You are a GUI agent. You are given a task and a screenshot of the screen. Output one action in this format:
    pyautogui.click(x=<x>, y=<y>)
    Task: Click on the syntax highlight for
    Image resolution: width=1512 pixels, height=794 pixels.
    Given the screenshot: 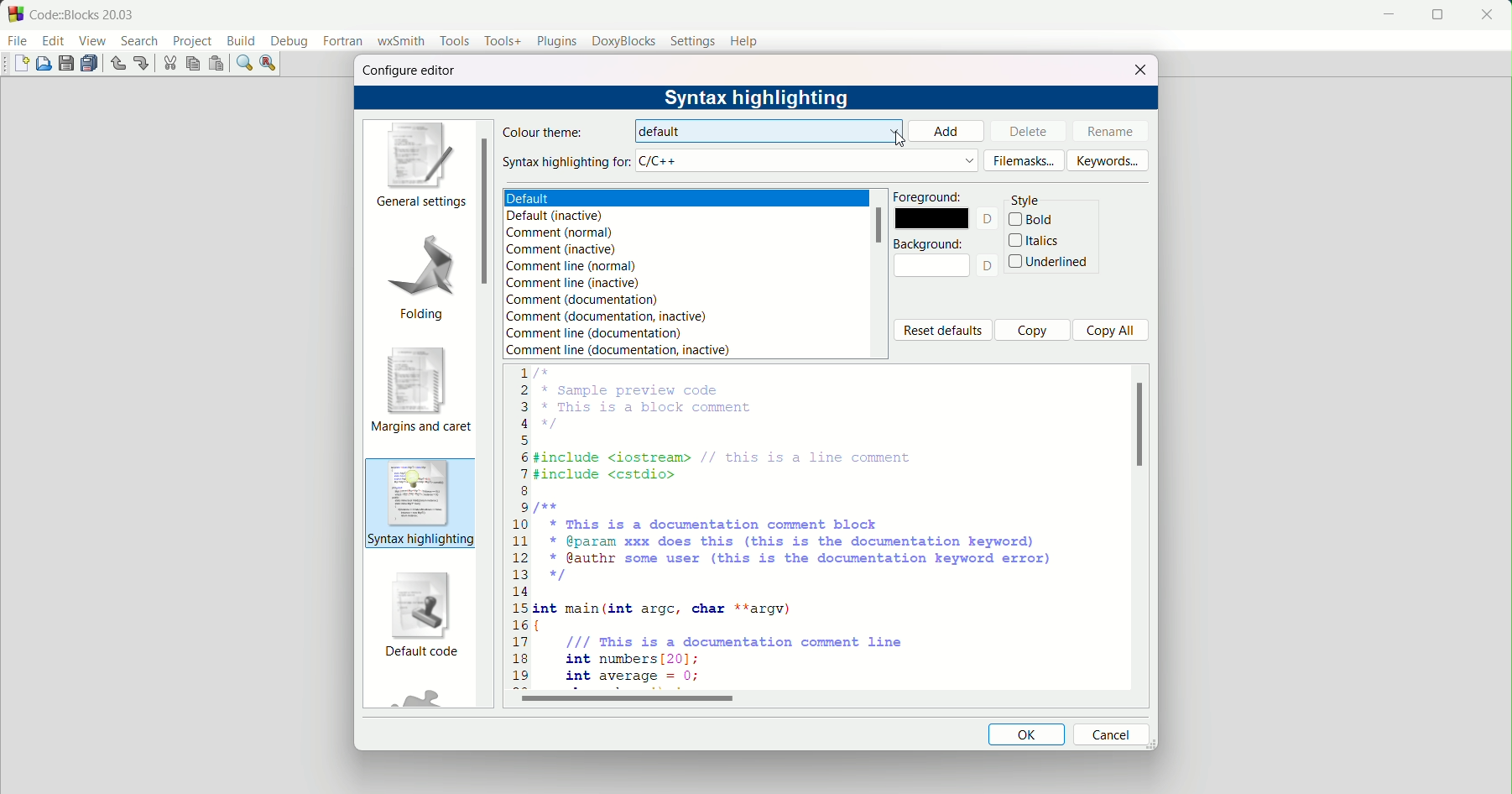 What is the action you would take?
    pyautogui.click(x=568, y=162)
    